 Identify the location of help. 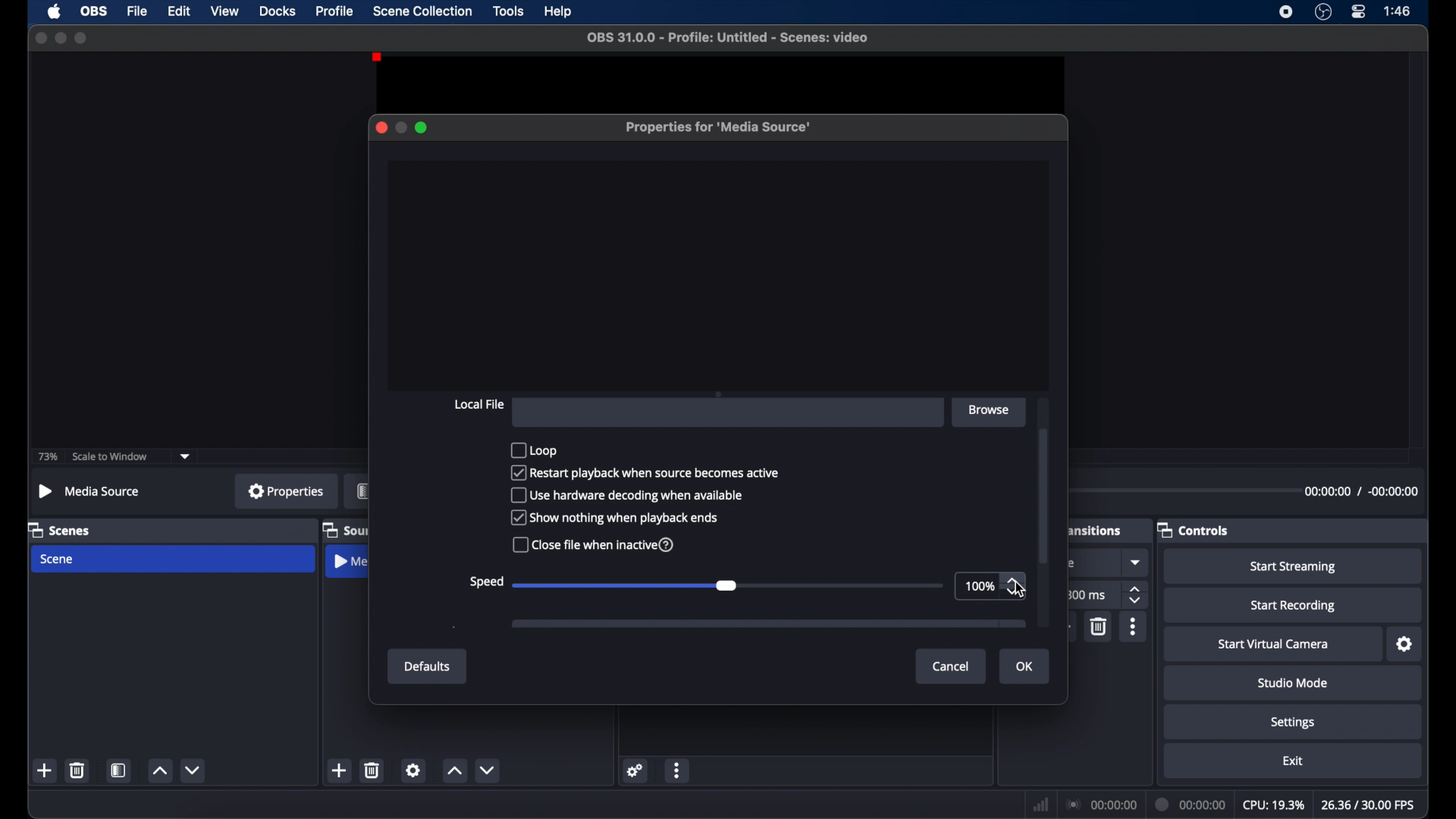
(560, 13).